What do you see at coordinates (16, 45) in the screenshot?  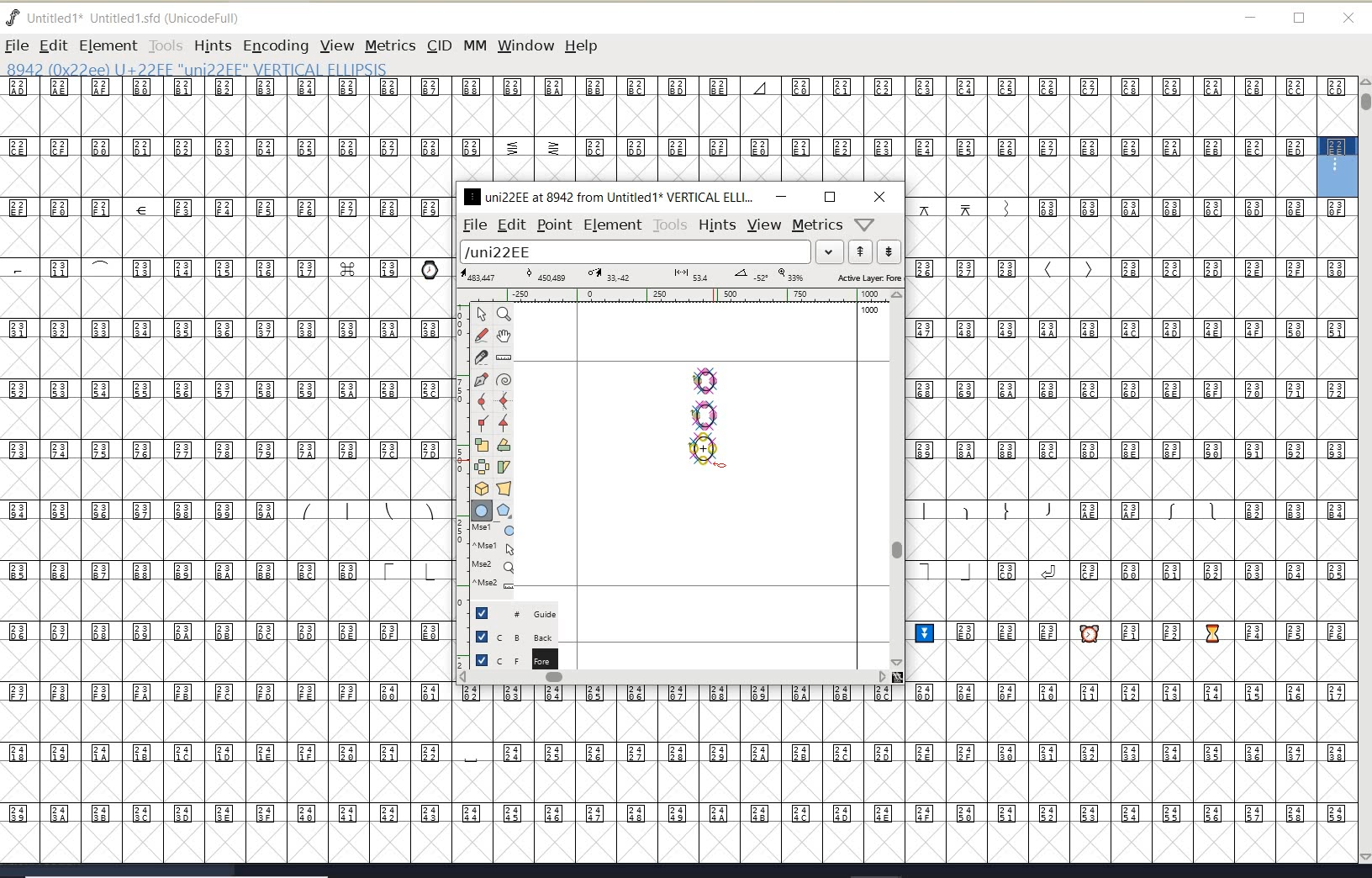 I see `FILE` at bounding box center [16, 45].